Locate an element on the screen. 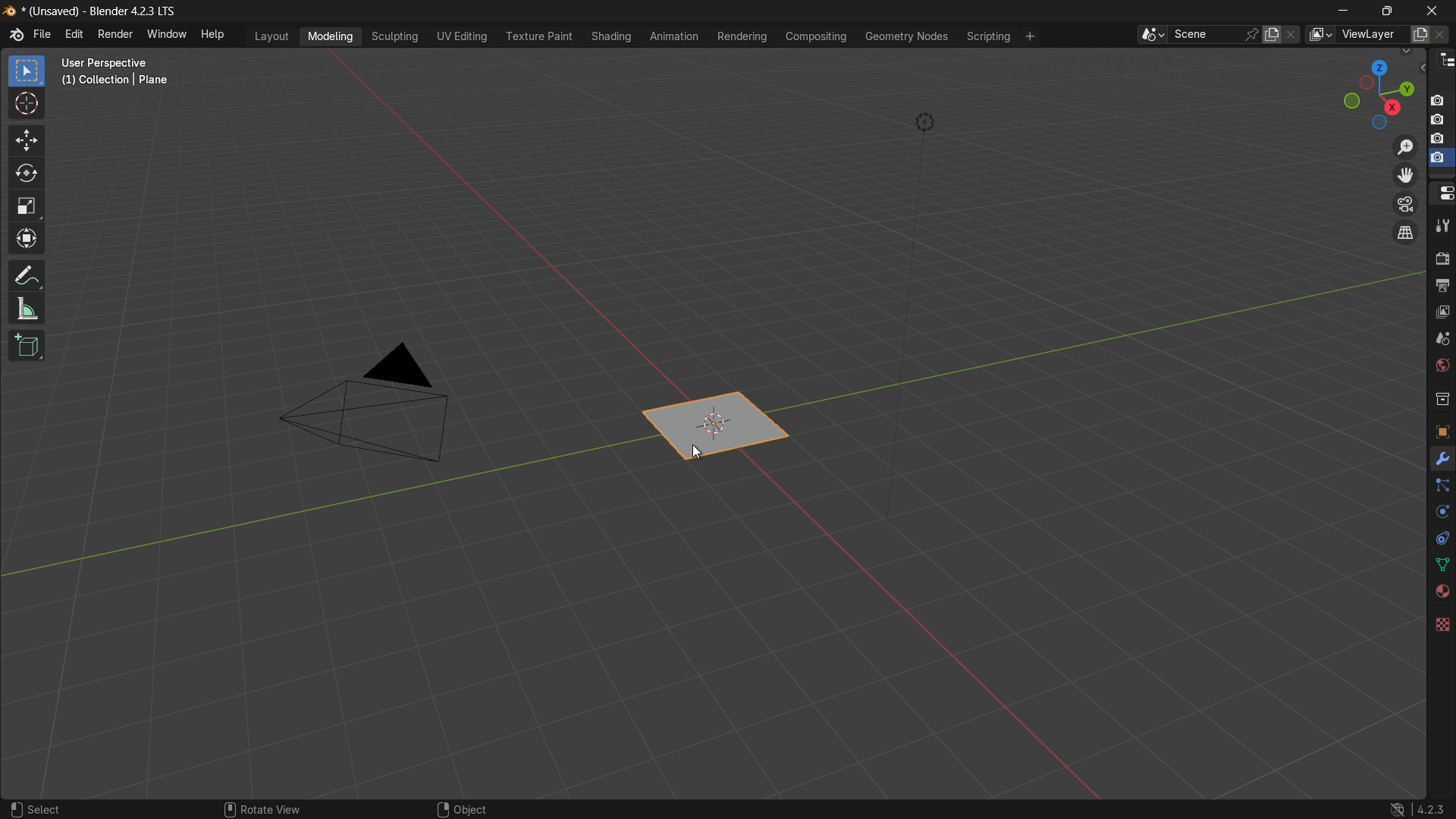 Image resolution: width=1456 pixels, height=819 pixels. physics is located at coordinates (1441, 513).